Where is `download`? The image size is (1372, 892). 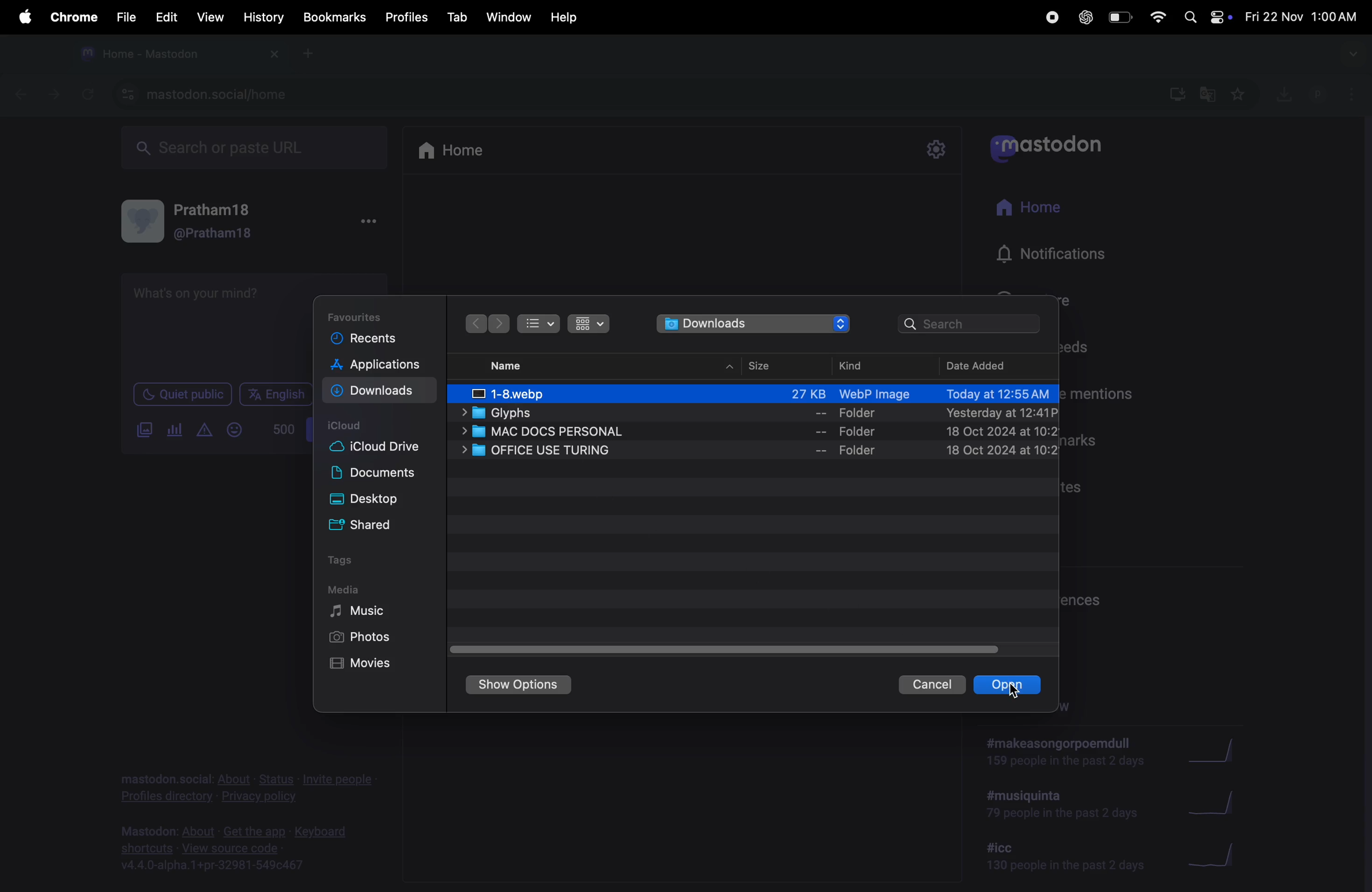
download is located at coordinates (1281, 95).